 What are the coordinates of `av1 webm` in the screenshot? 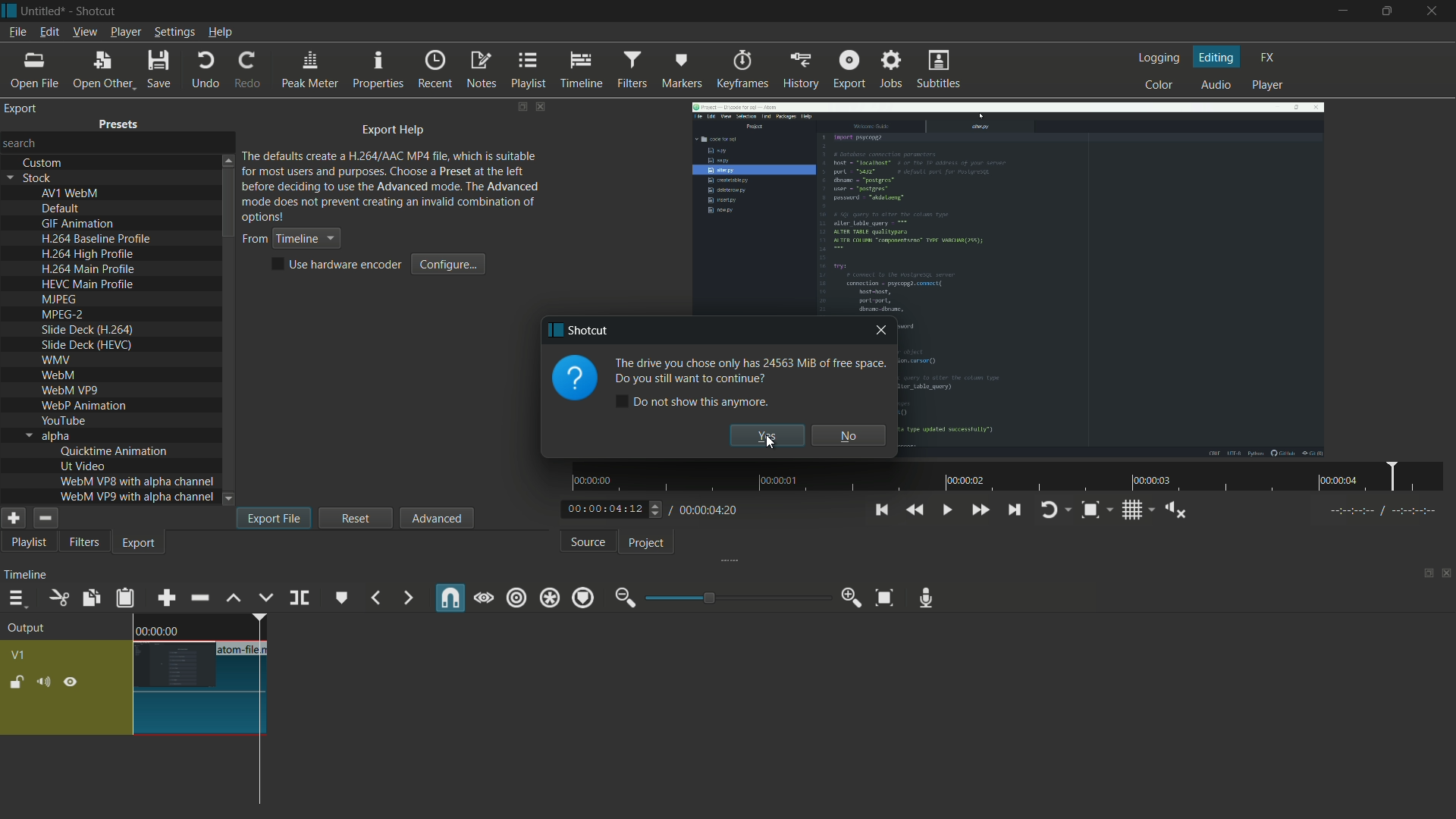 It's located at (70, 193).